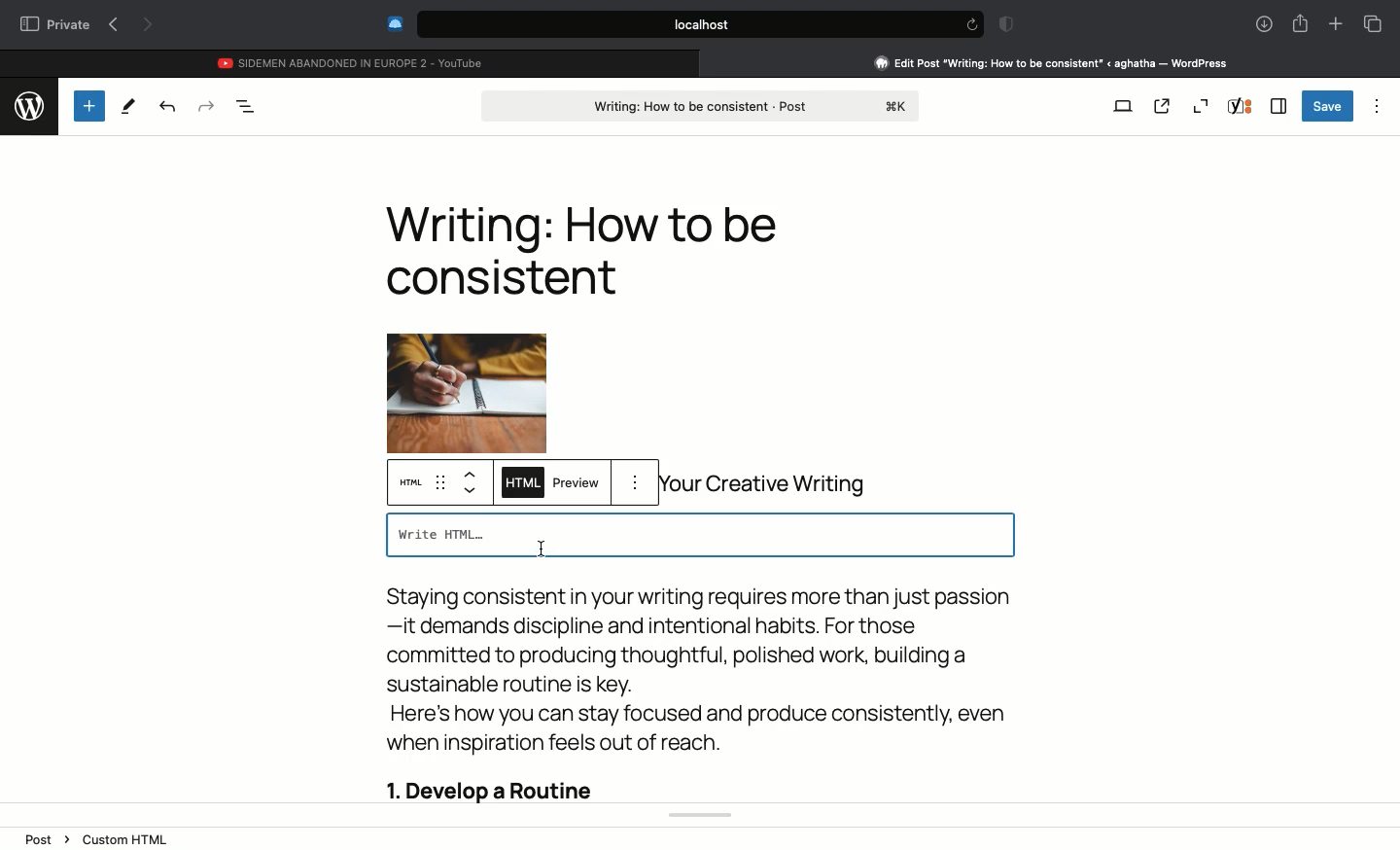 Image resolution: width=1400 pixels, height=850 pixels. Describe the element at coordinates (699, 536) in the screenshot. I see `Textbox` at that location.